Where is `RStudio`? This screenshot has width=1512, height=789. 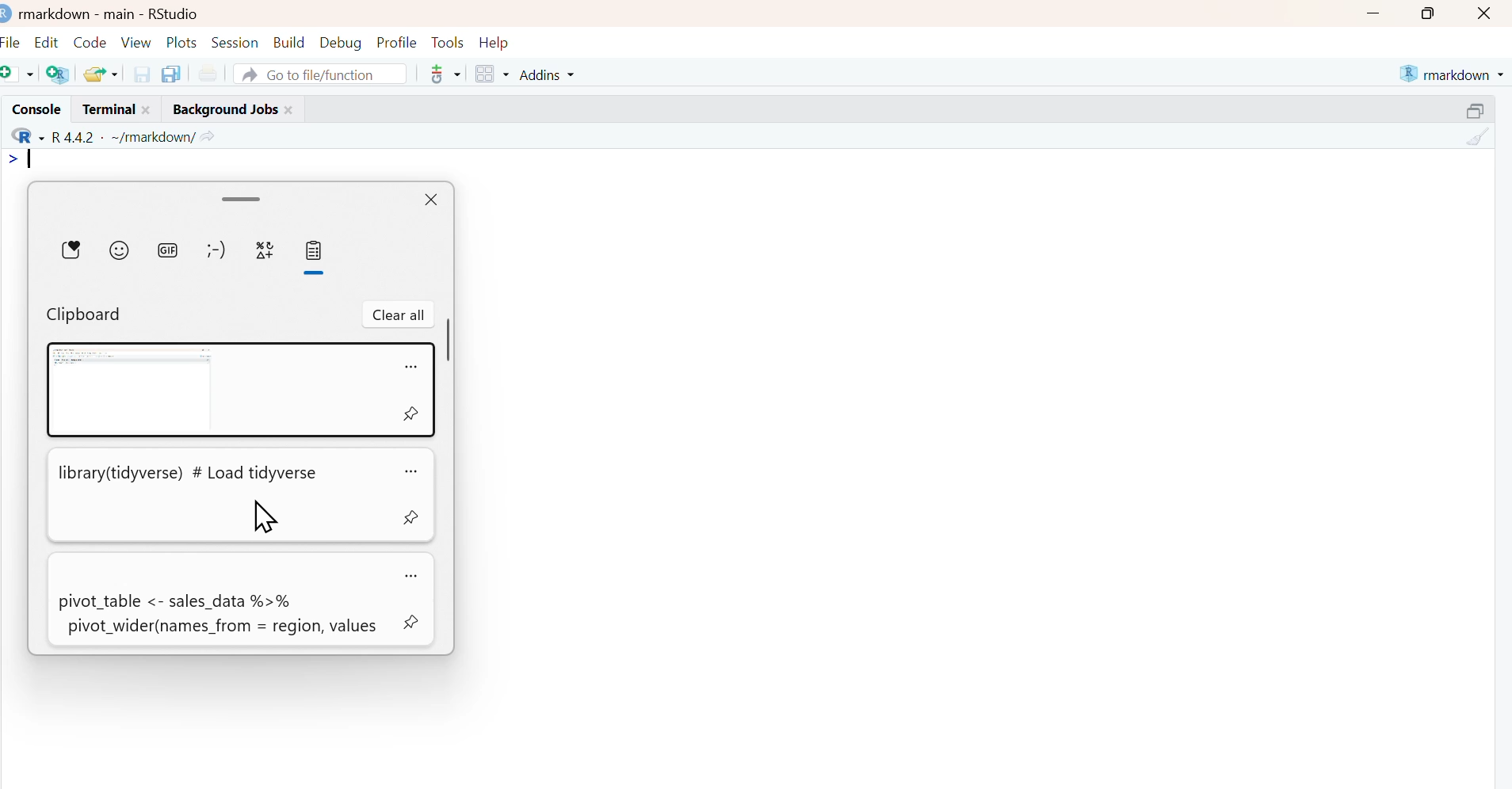 RStudio is located at coordinates (174, 12).